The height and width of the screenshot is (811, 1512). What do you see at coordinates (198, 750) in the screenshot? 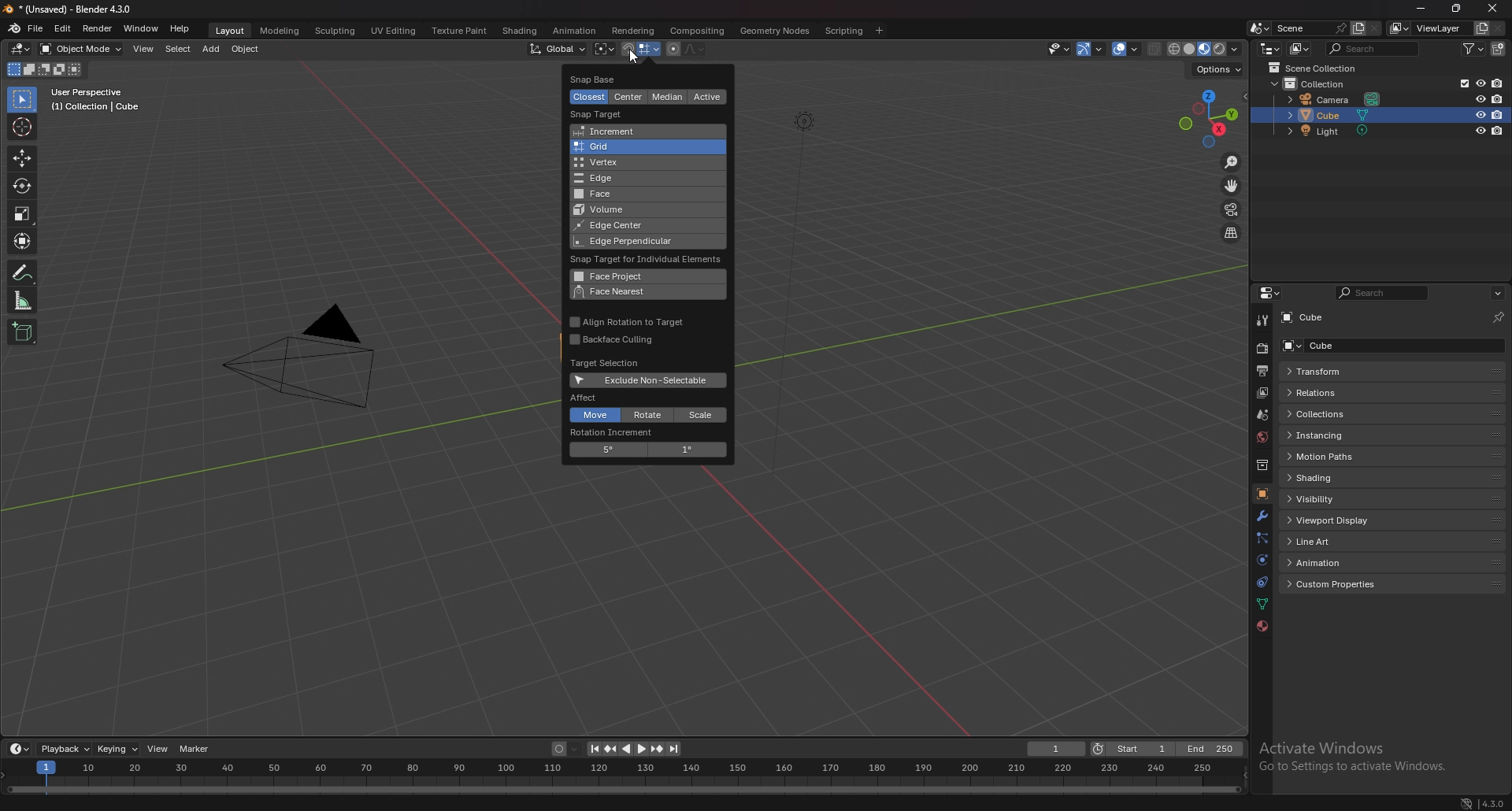
I see `marker` at bounding box center [198, 750].